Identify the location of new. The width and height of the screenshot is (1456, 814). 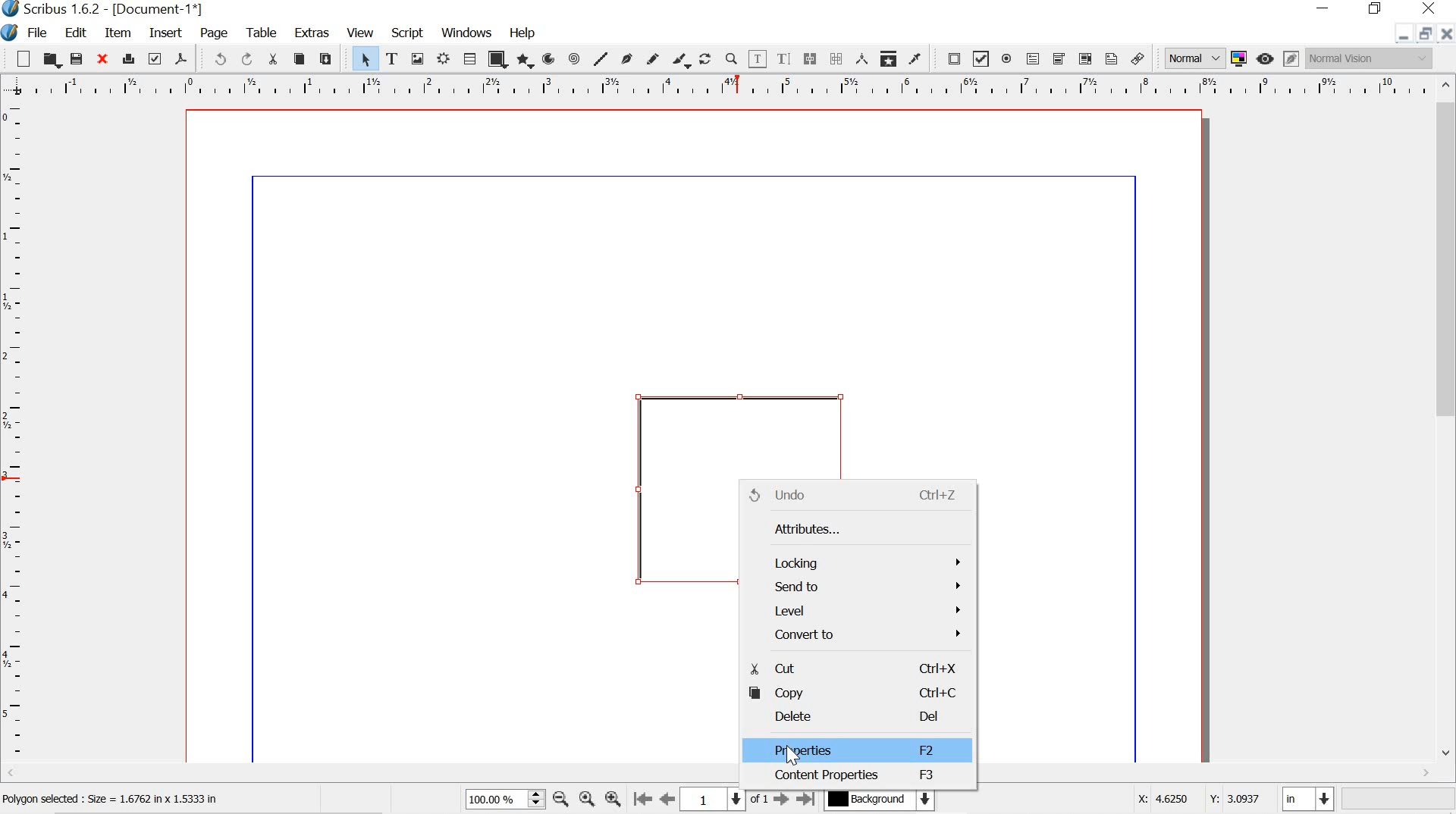
(23, 58).